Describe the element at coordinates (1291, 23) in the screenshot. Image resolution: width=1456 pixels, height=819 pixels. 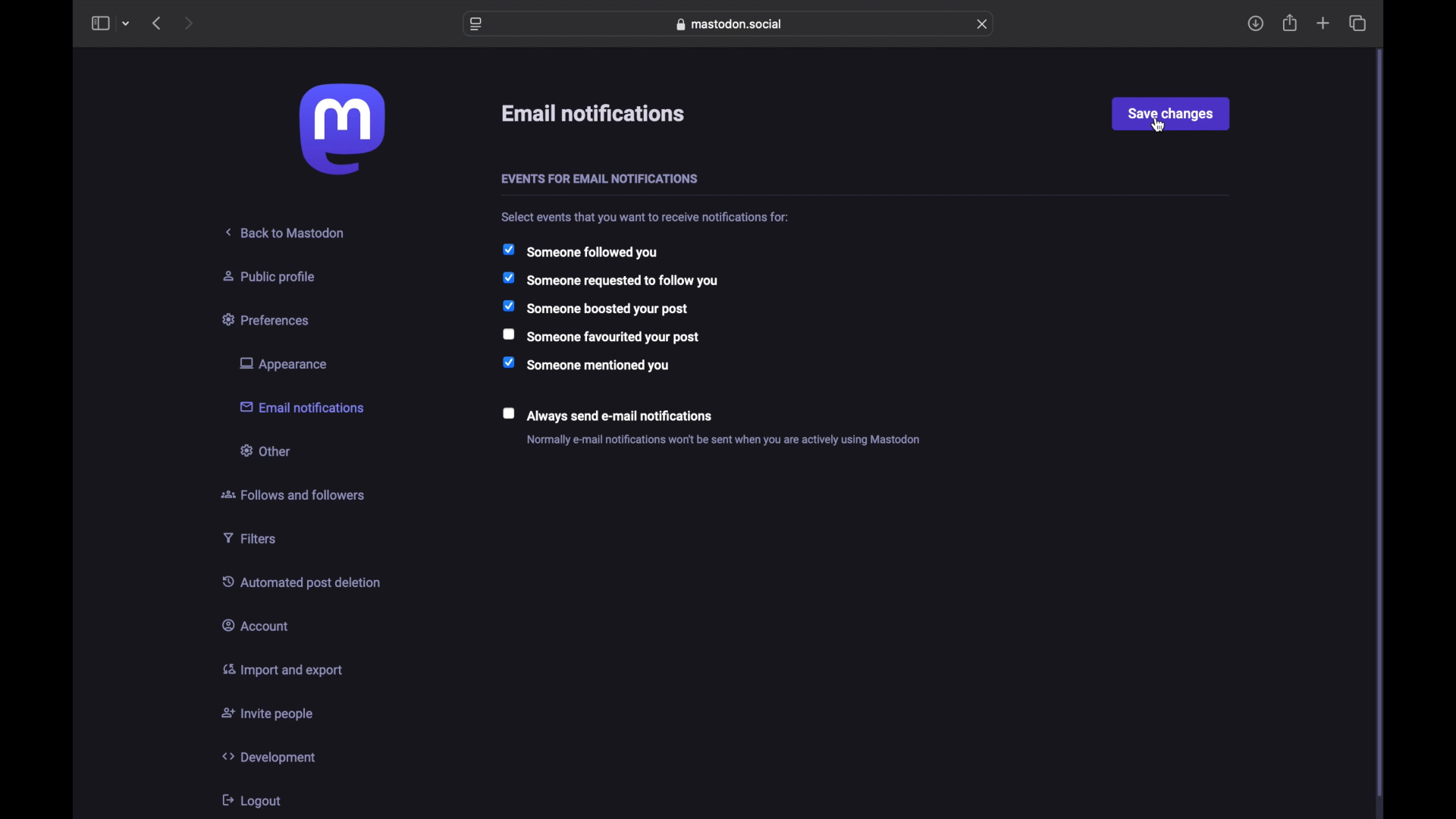
I see `share` at that location.